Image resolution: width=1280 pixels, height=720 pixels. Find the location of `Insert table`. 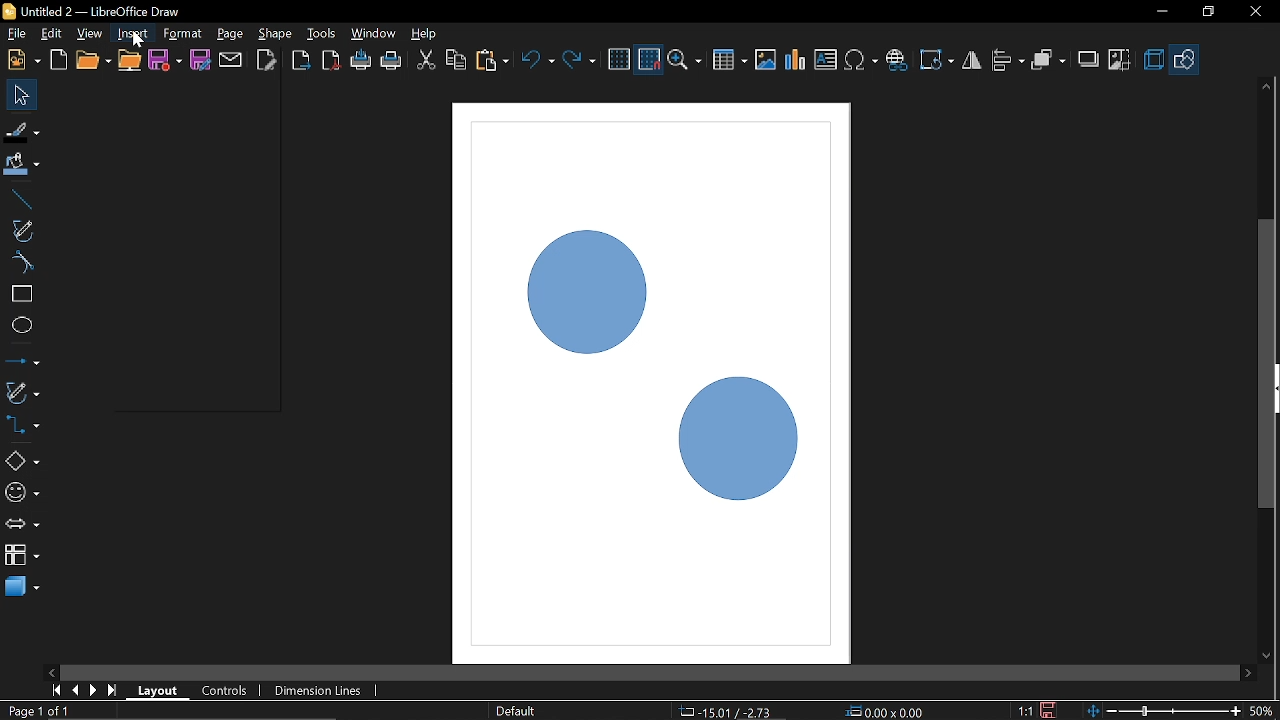

Insert table is located at coordinates (730, 61).